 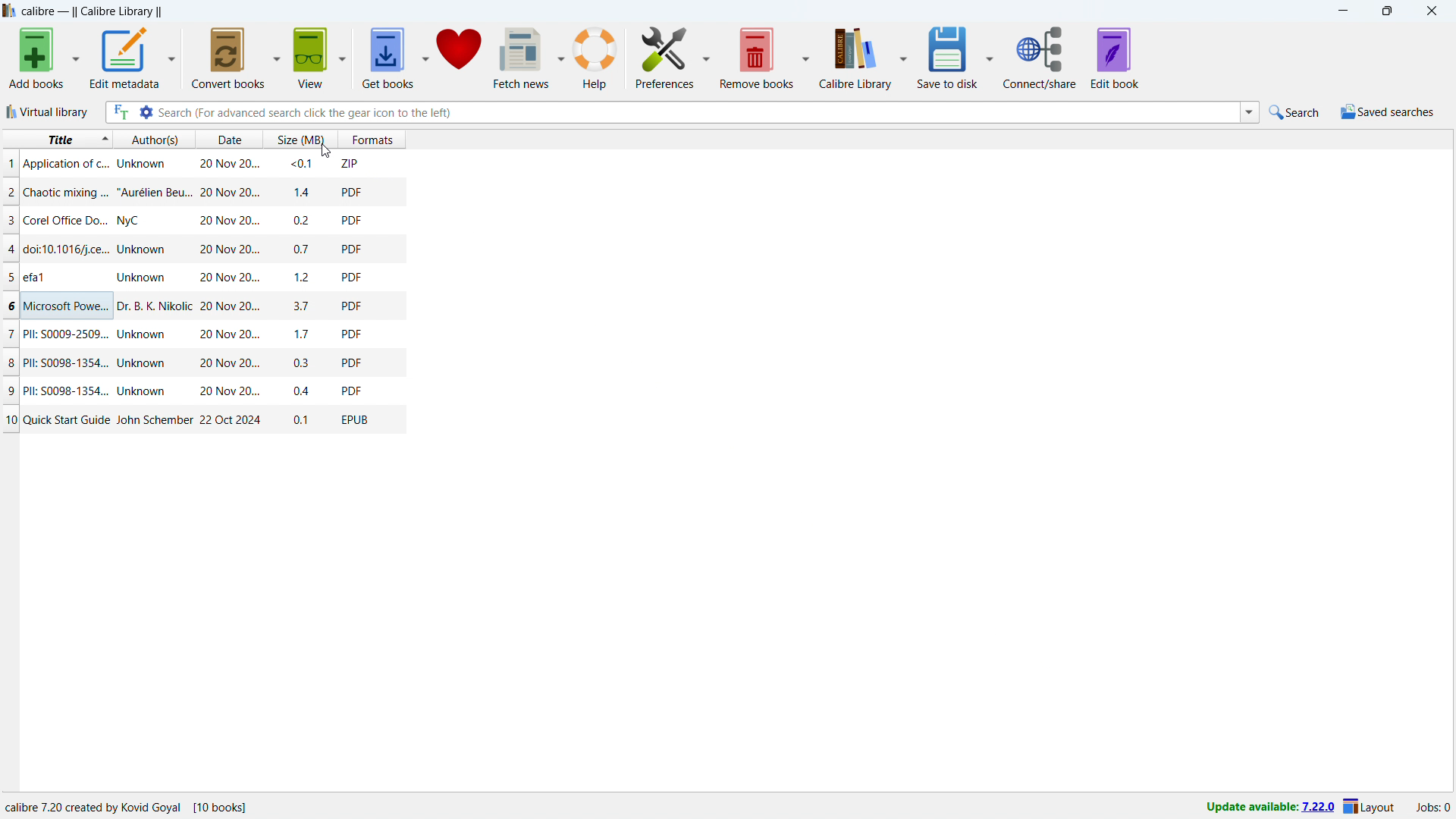 I want to click on , so click(x=125, y=58).